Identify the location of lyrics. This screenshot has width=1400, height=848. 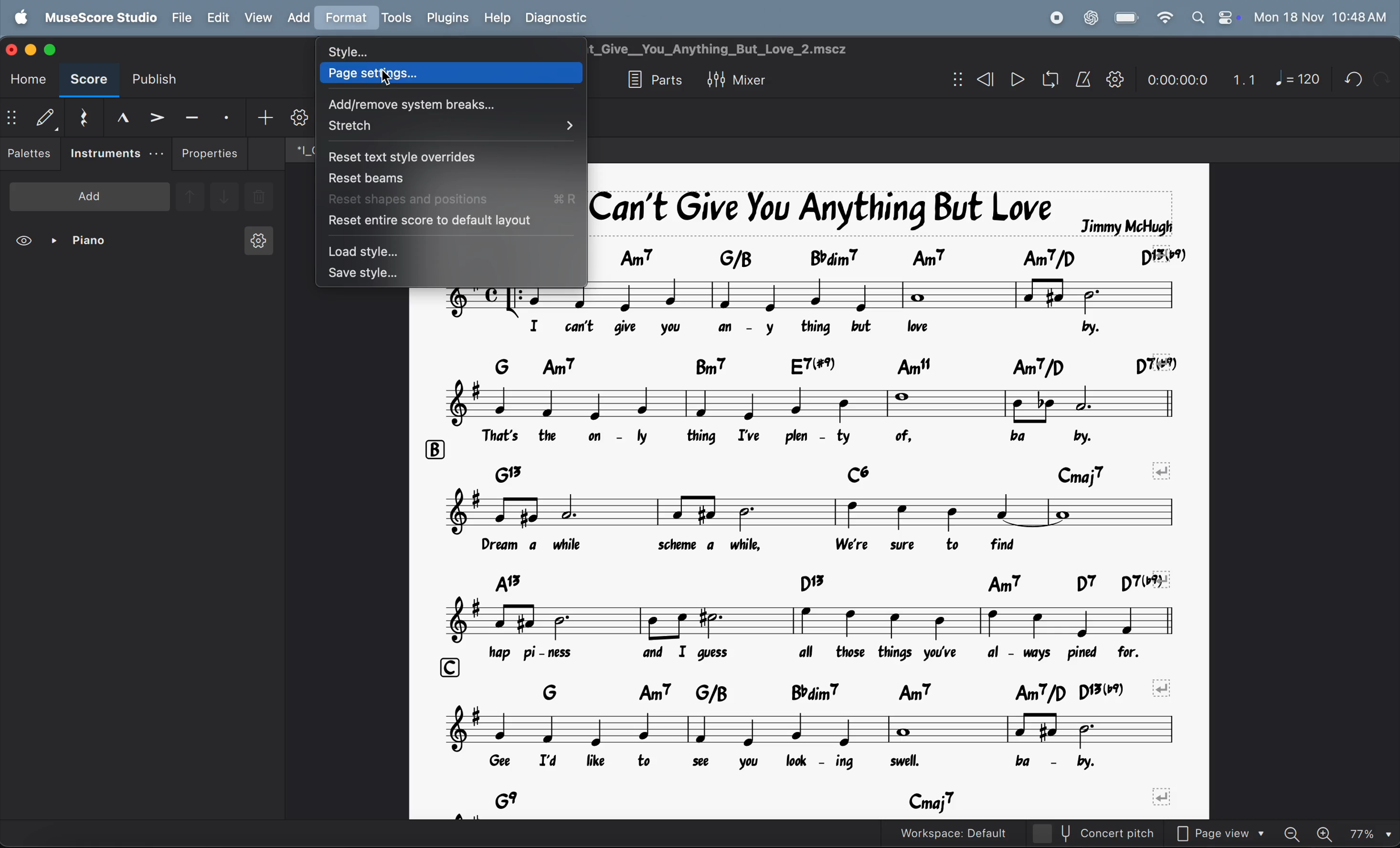
(829, 653).